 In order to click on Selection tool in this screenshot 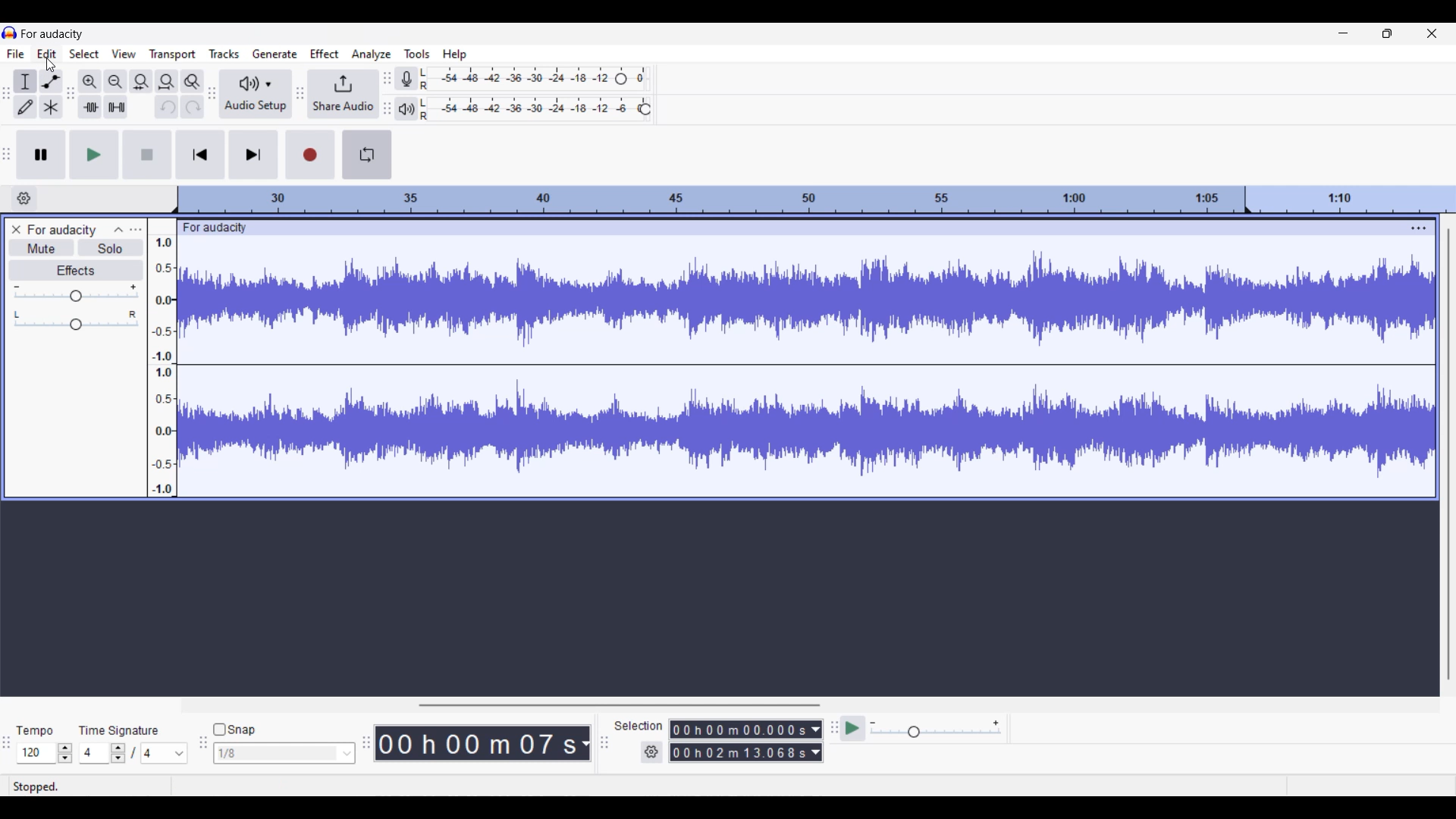, I will do `click(25, 81)`.